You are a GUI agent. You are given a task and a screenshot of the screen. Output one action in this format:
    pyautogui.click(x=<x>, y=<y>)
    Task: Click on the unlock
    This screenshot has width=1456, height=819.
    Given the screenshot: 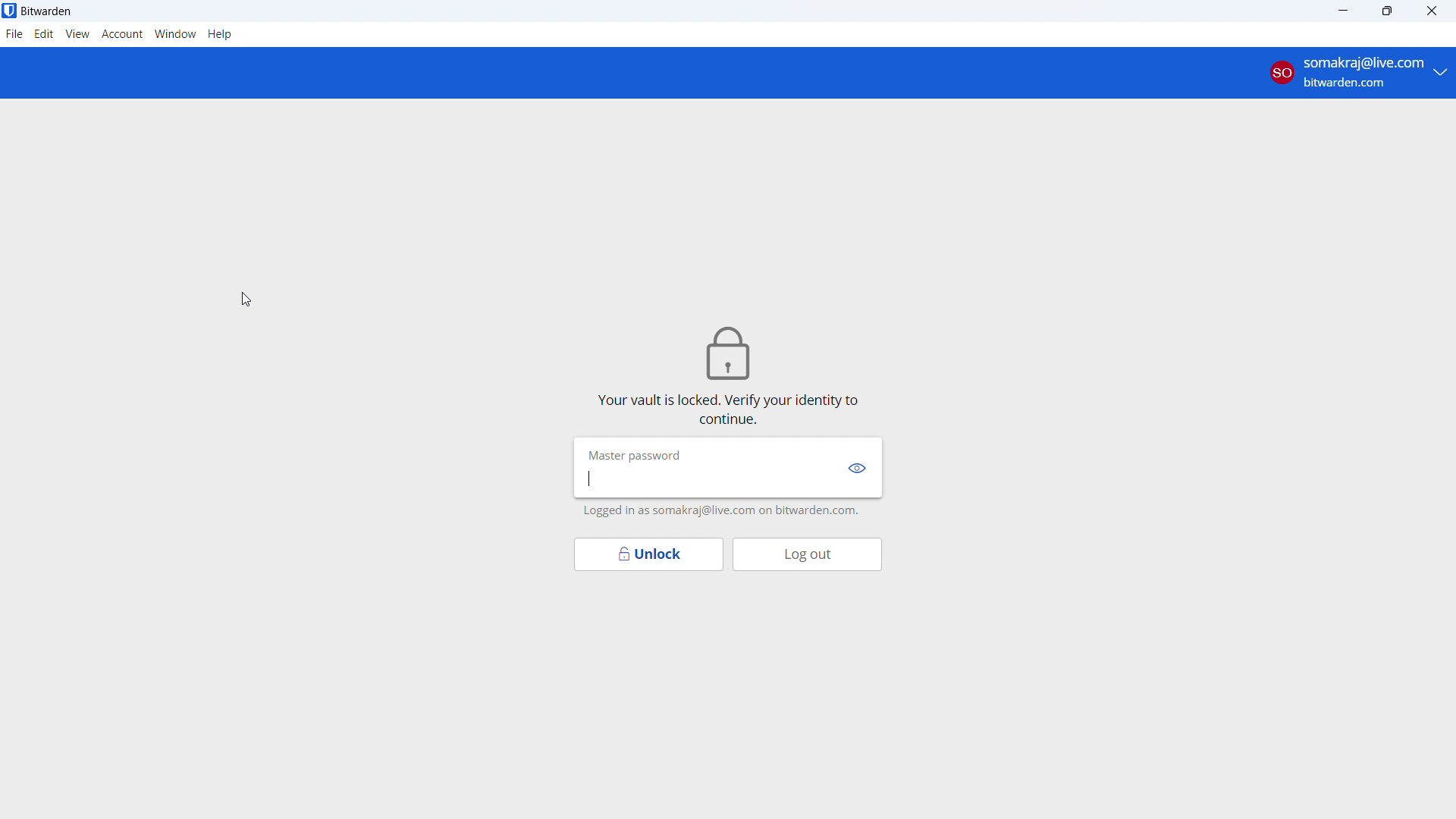 What is the action you would take?
    pyautogui.click(x=648, y=554)
    